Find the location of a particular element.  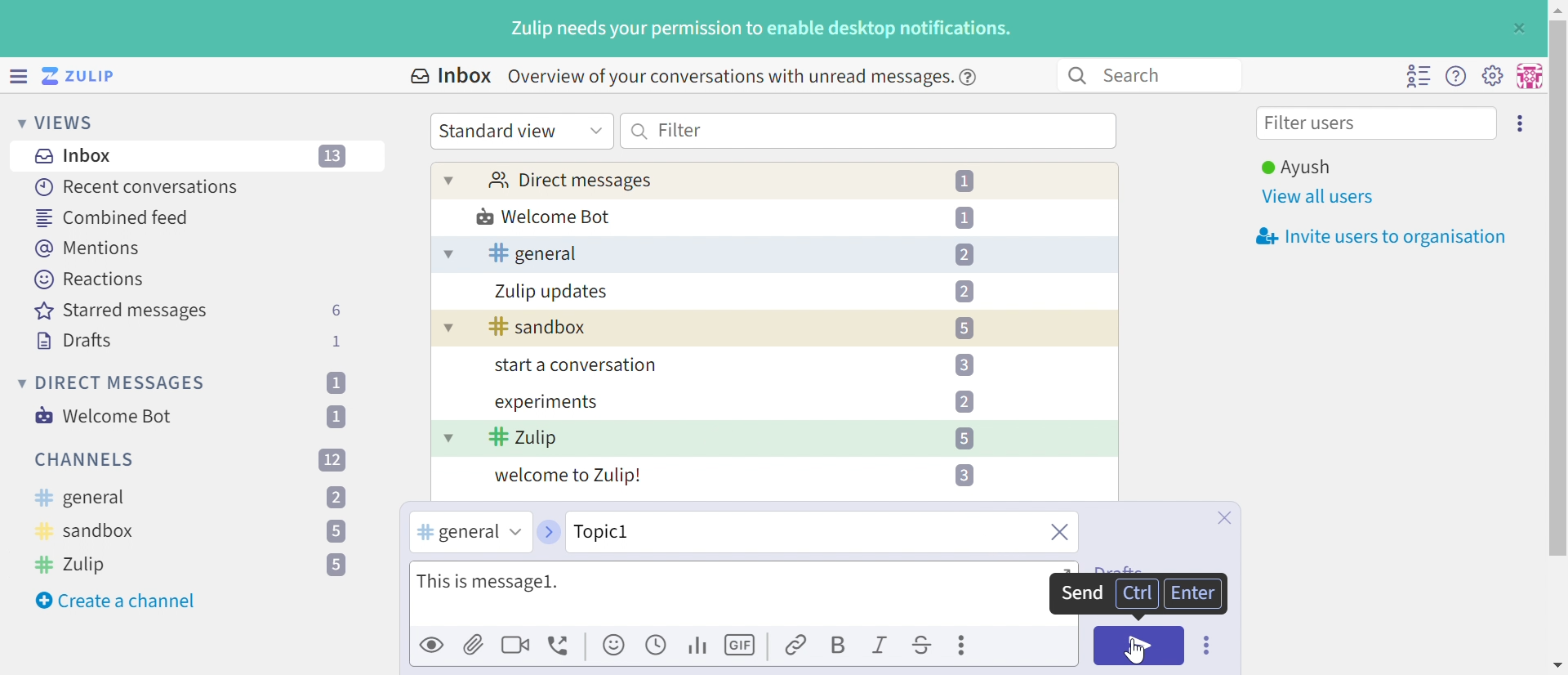

Upload files is located at coordinates (474, 644).